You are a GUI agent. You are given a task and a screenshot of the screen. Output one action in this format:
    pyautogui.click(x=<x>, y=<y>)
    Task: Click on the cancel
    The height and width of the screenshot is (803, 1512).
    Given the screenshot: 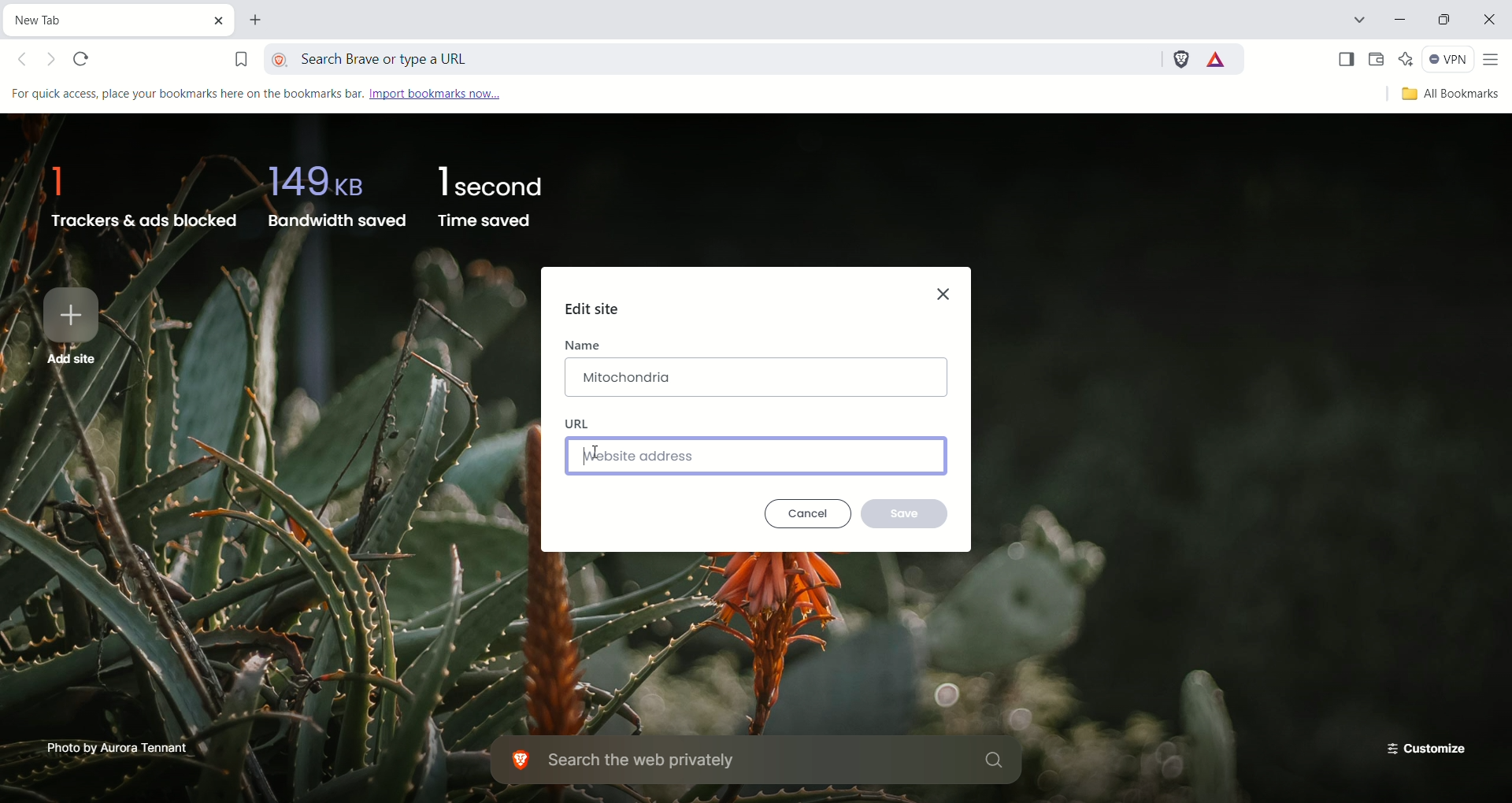 What is the action you would take?
    pyautogui.click(x=810, y=515)
    